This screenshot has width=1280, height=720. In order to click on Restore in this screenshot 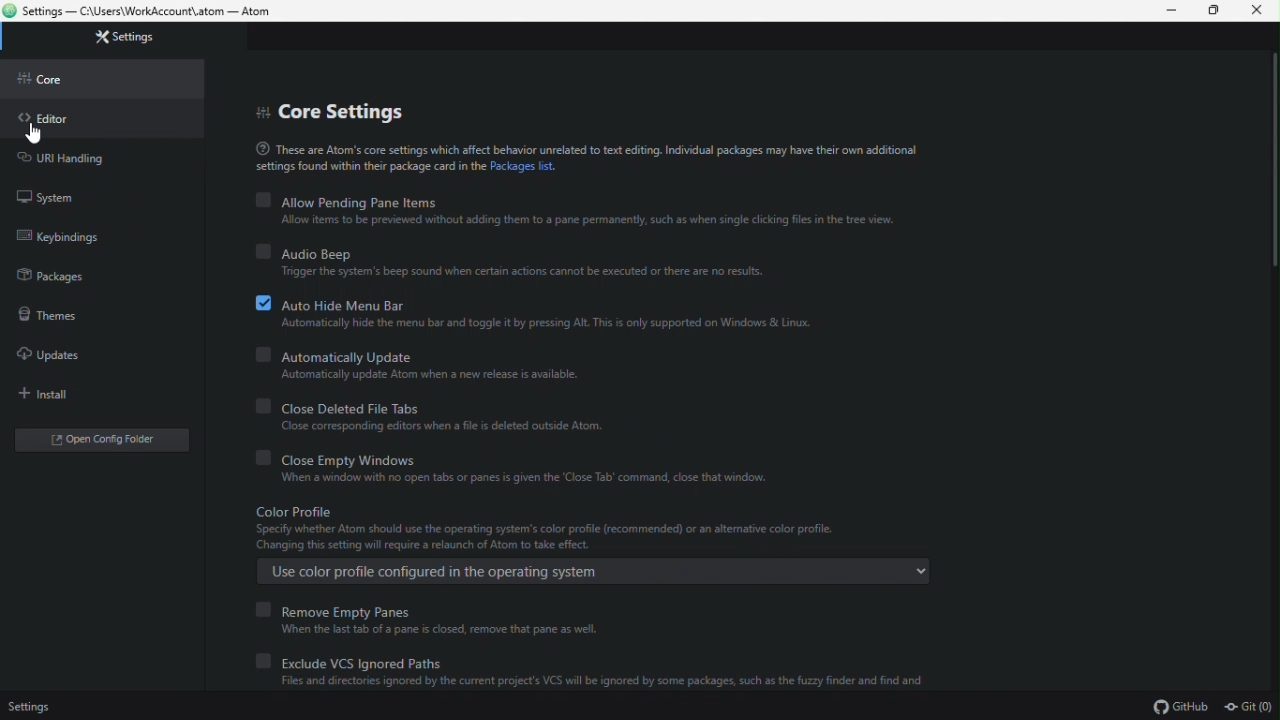, I will do `click(1215, 13)`.